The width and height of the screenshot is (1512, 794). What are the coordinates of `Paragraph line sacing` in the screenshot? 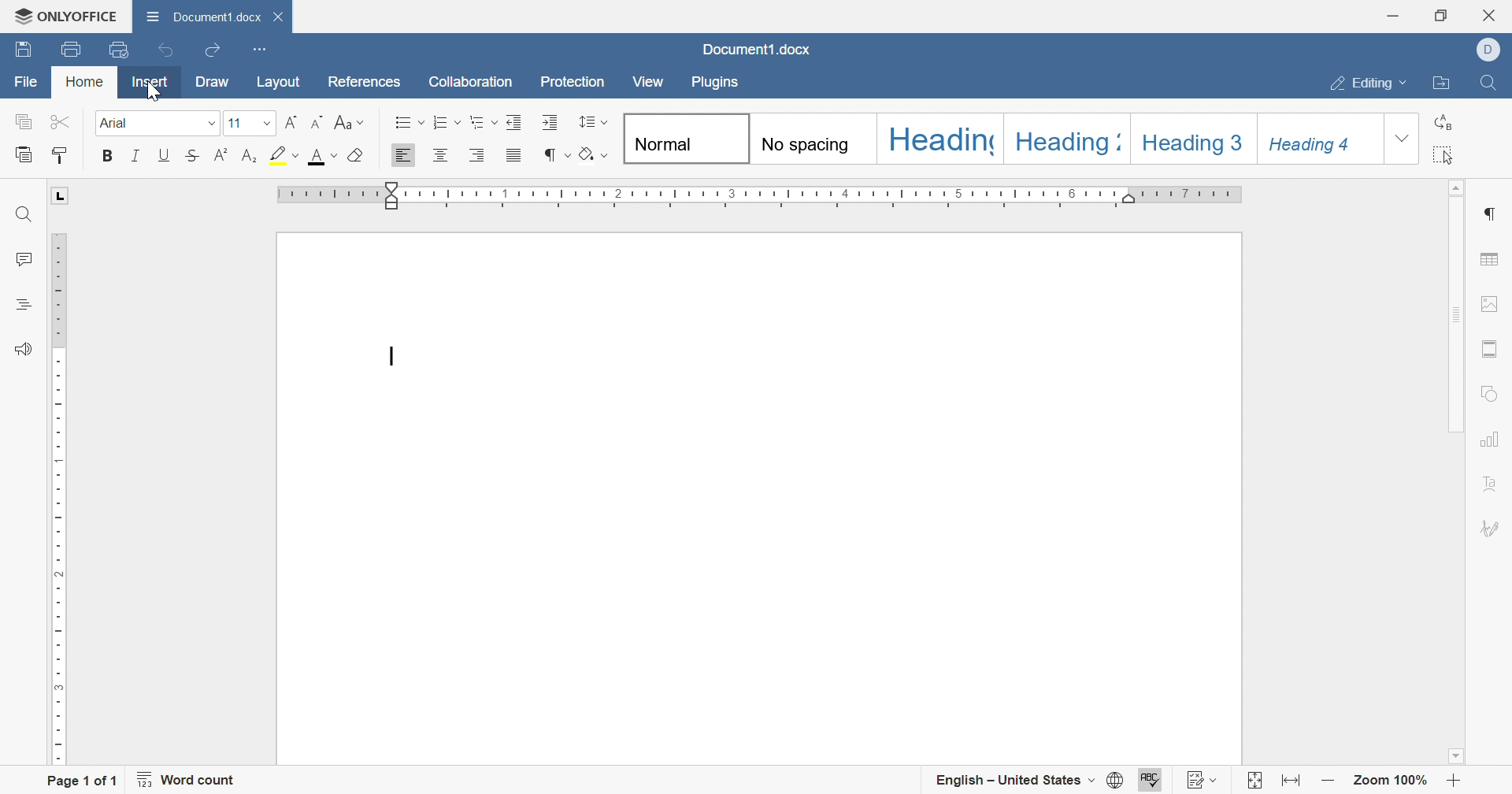 It's located at (589, 121).